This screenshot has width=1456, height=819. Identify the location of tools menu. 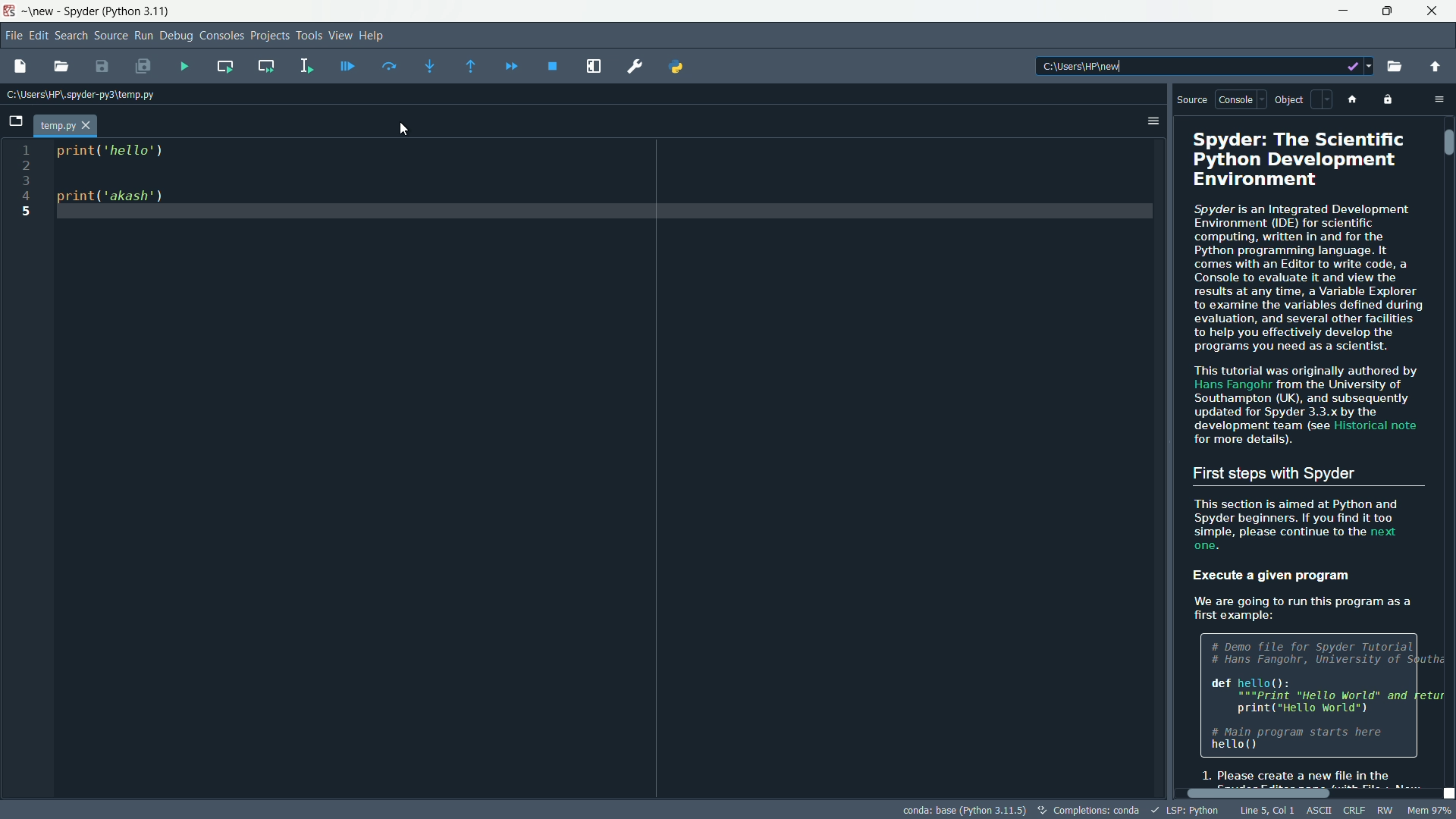
(309, 36).